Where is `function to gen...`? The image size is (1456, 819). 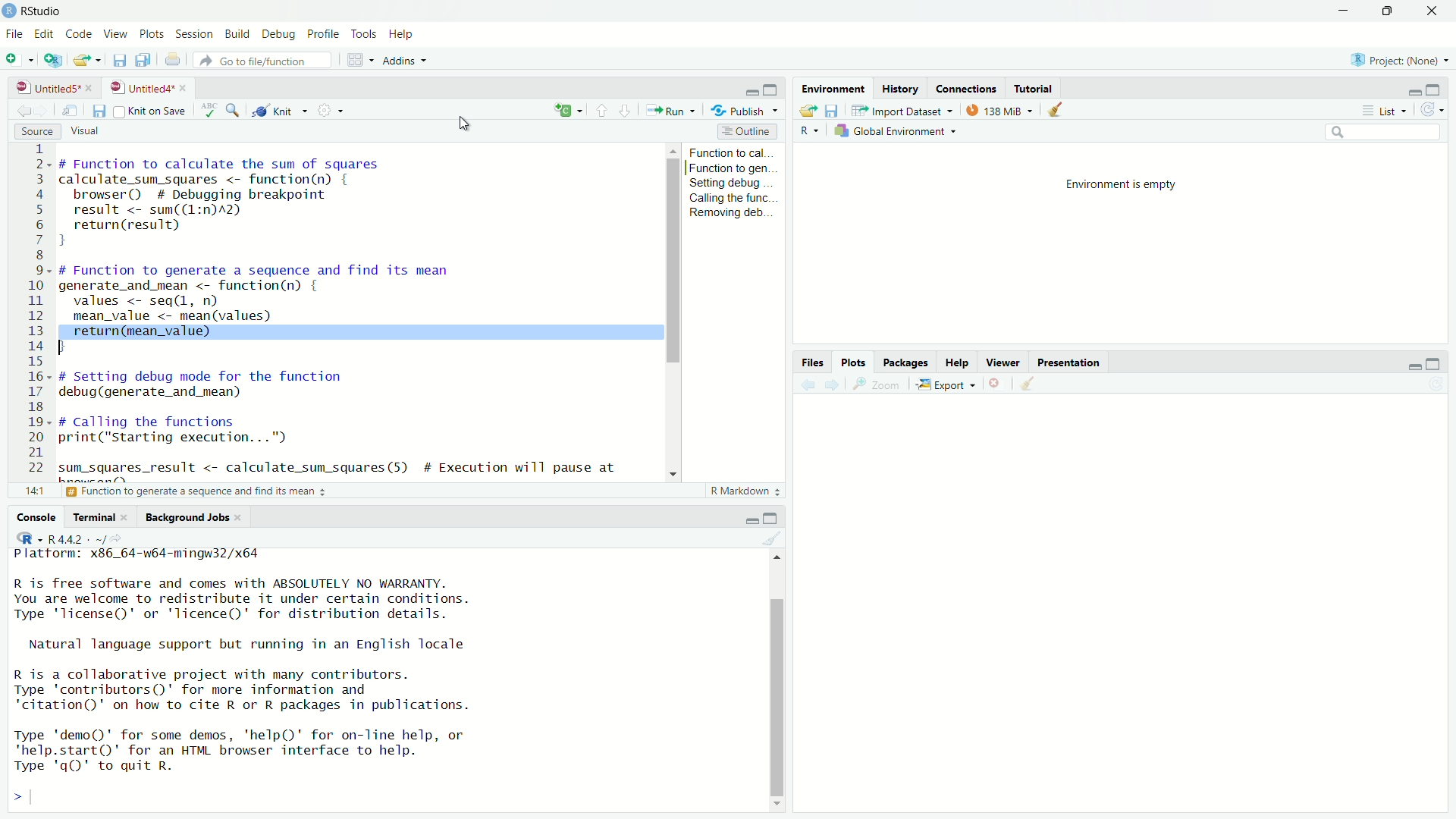
function to gen... is located at coordinates (730, 168).